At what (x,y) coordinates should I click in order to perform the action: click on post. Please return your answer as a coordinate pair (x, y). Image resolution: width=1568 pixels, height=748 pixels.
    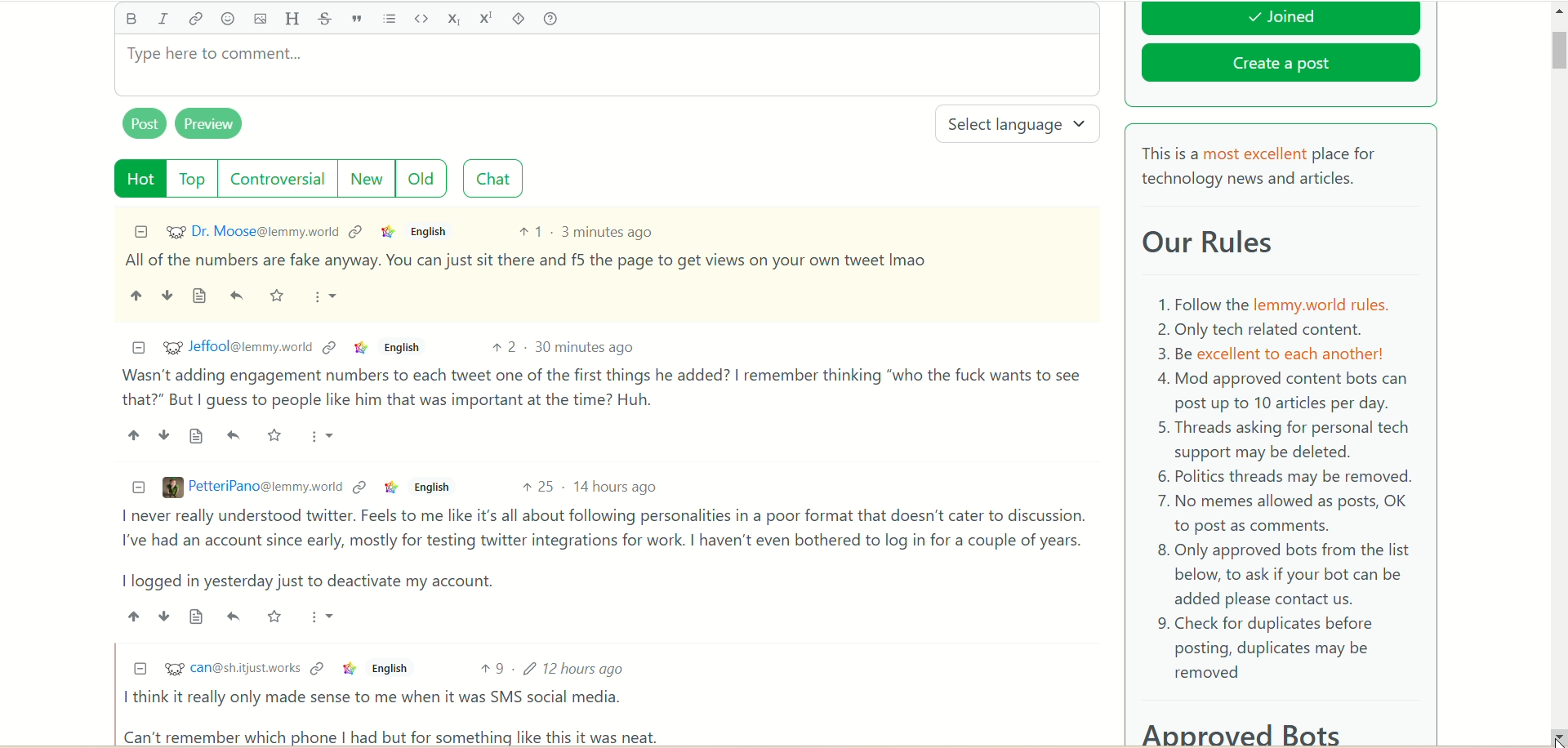
    Looking at the image, I should click on (145, 122).